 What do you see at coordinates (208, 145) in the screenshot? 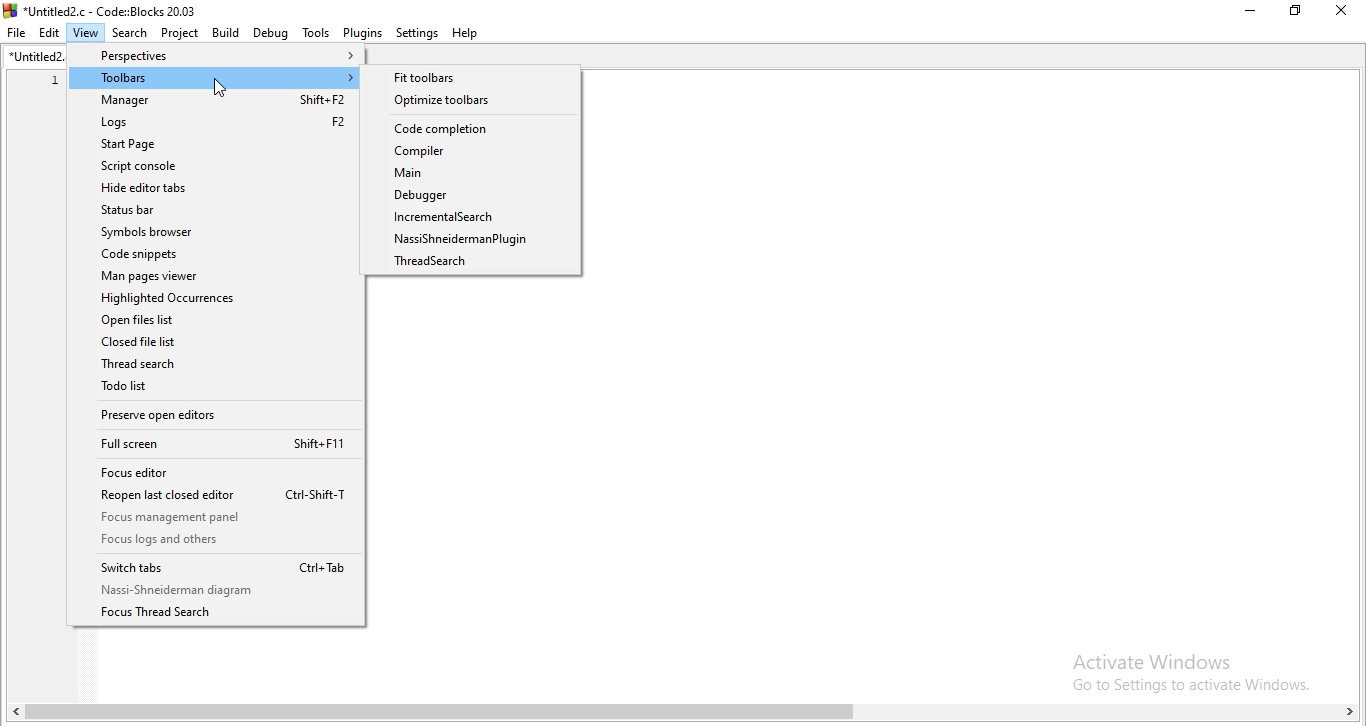
I see `Start Page` at bounding box center [208, 145].